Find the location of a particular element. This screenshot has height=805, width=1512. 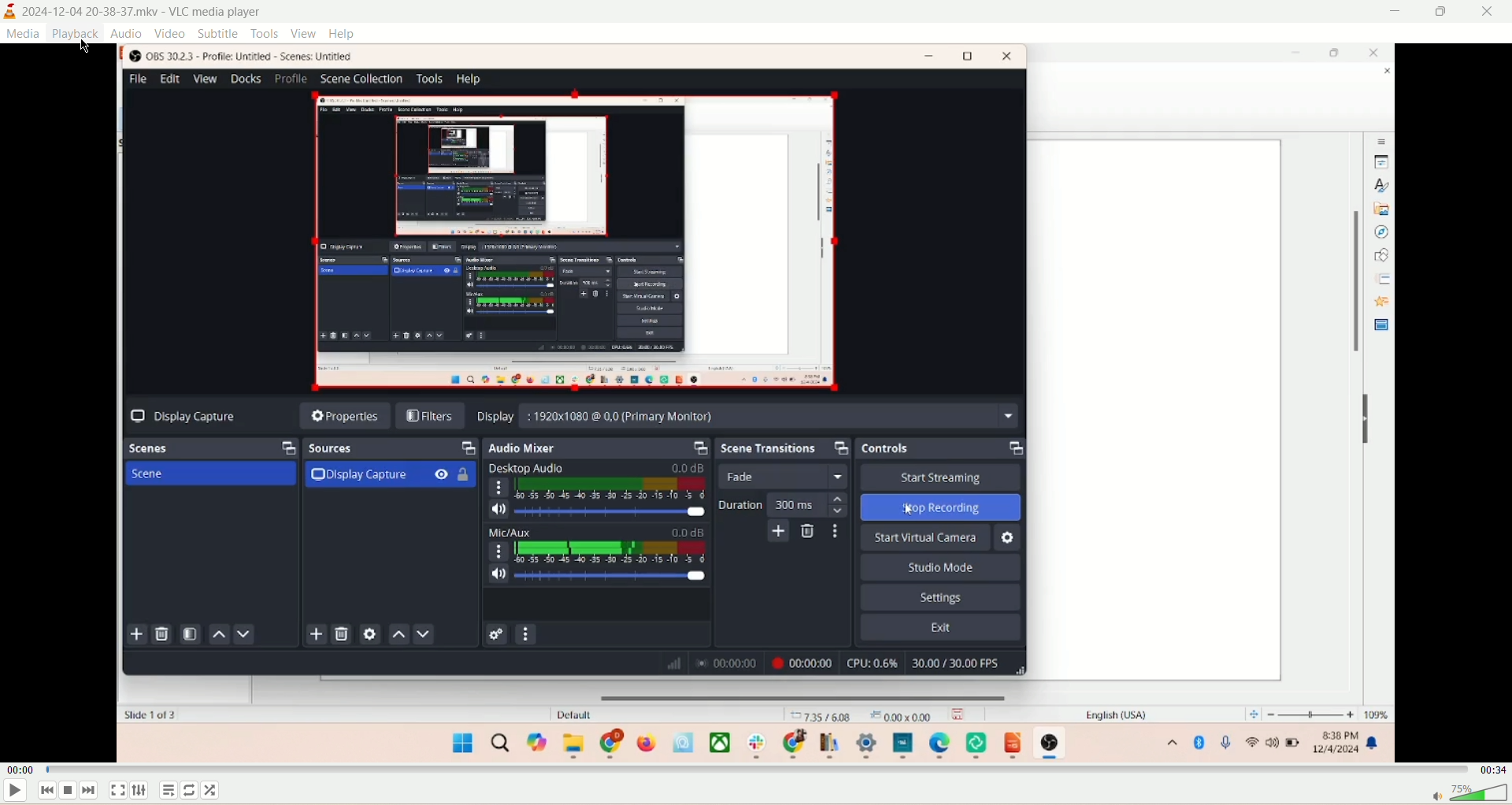

close is located at coordinates (1490, 13).